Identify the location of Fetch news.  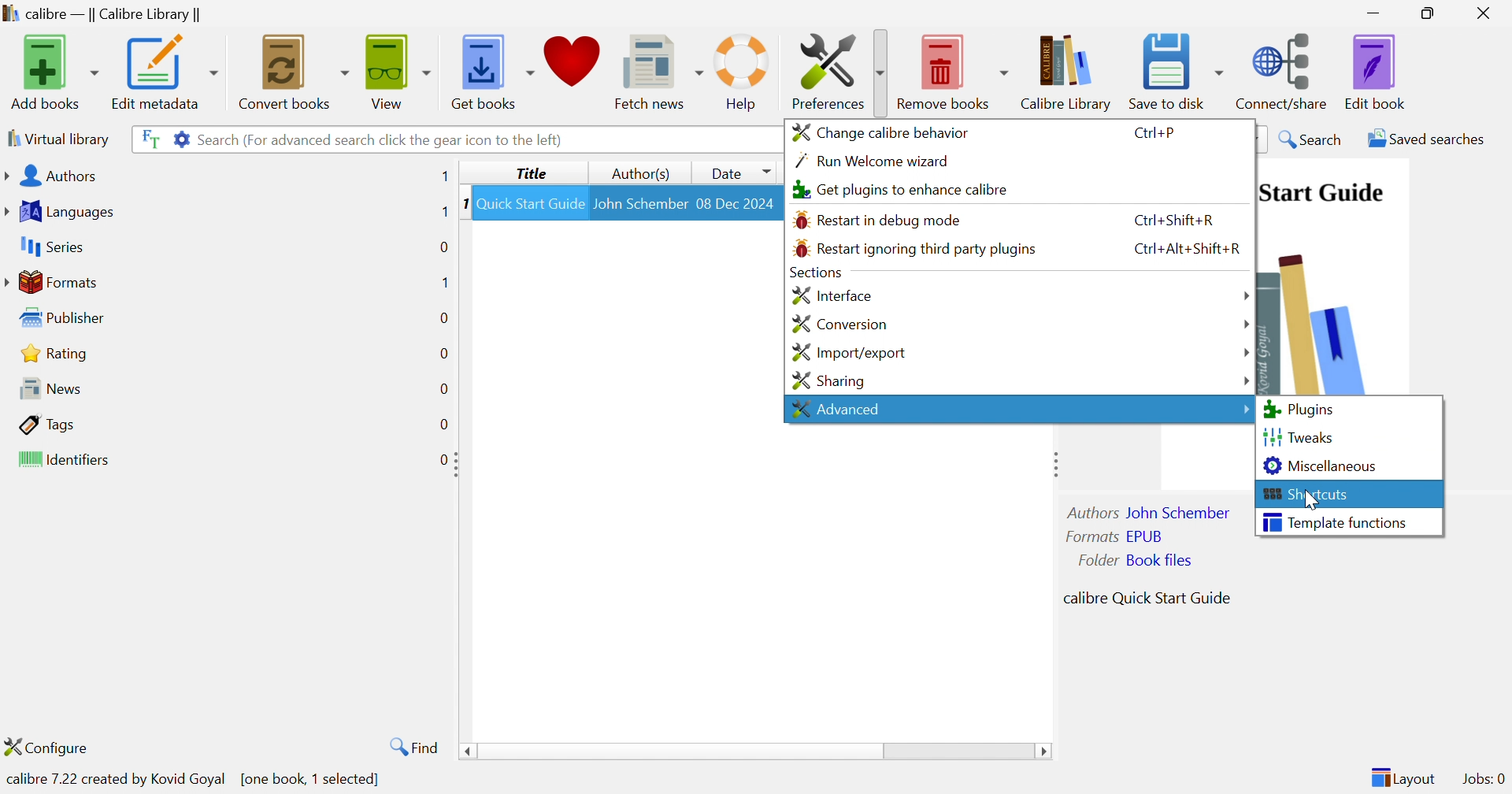
(661, 69).